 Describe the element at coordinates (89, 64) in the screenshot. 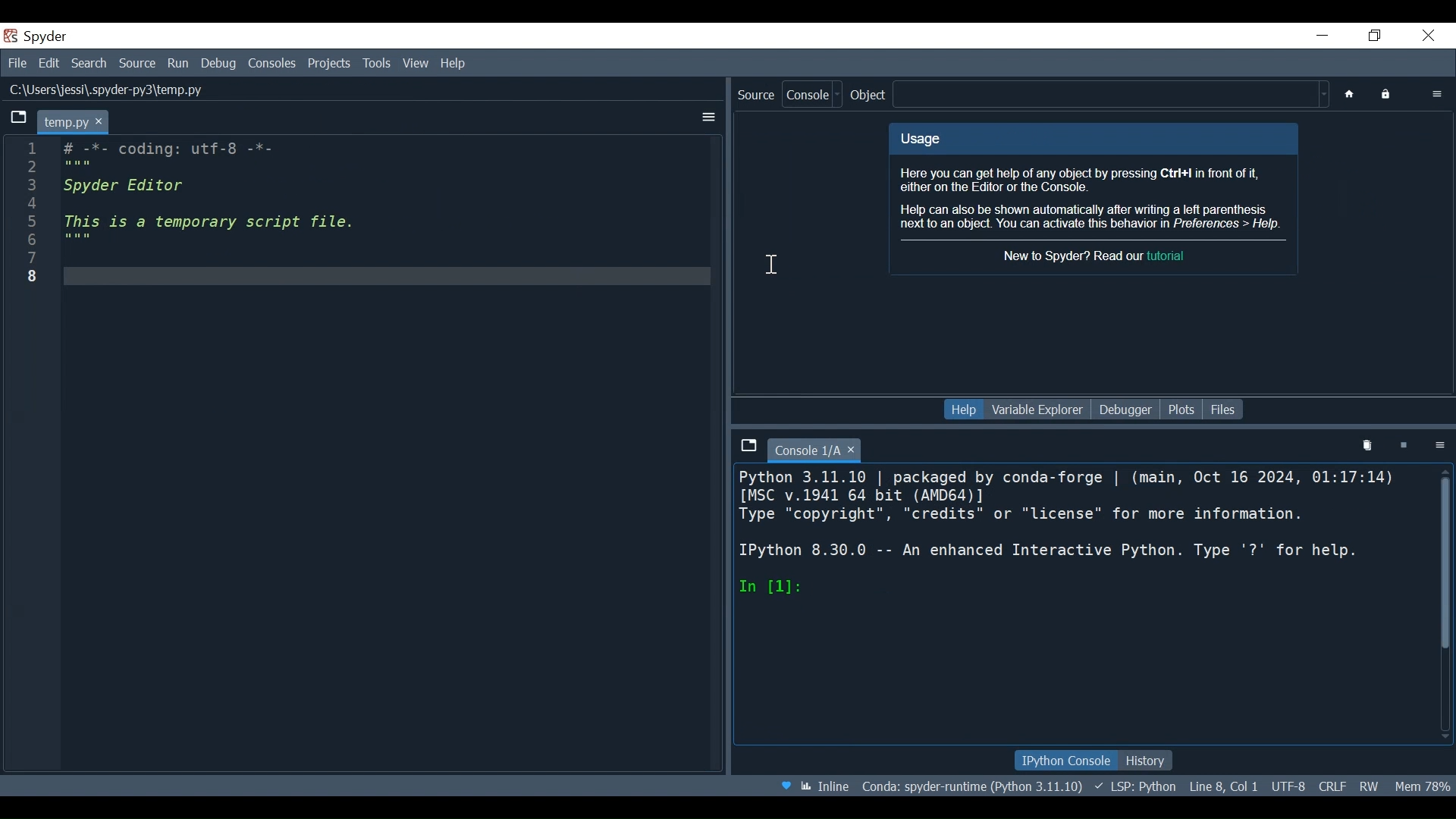

I see `Search` at that location.